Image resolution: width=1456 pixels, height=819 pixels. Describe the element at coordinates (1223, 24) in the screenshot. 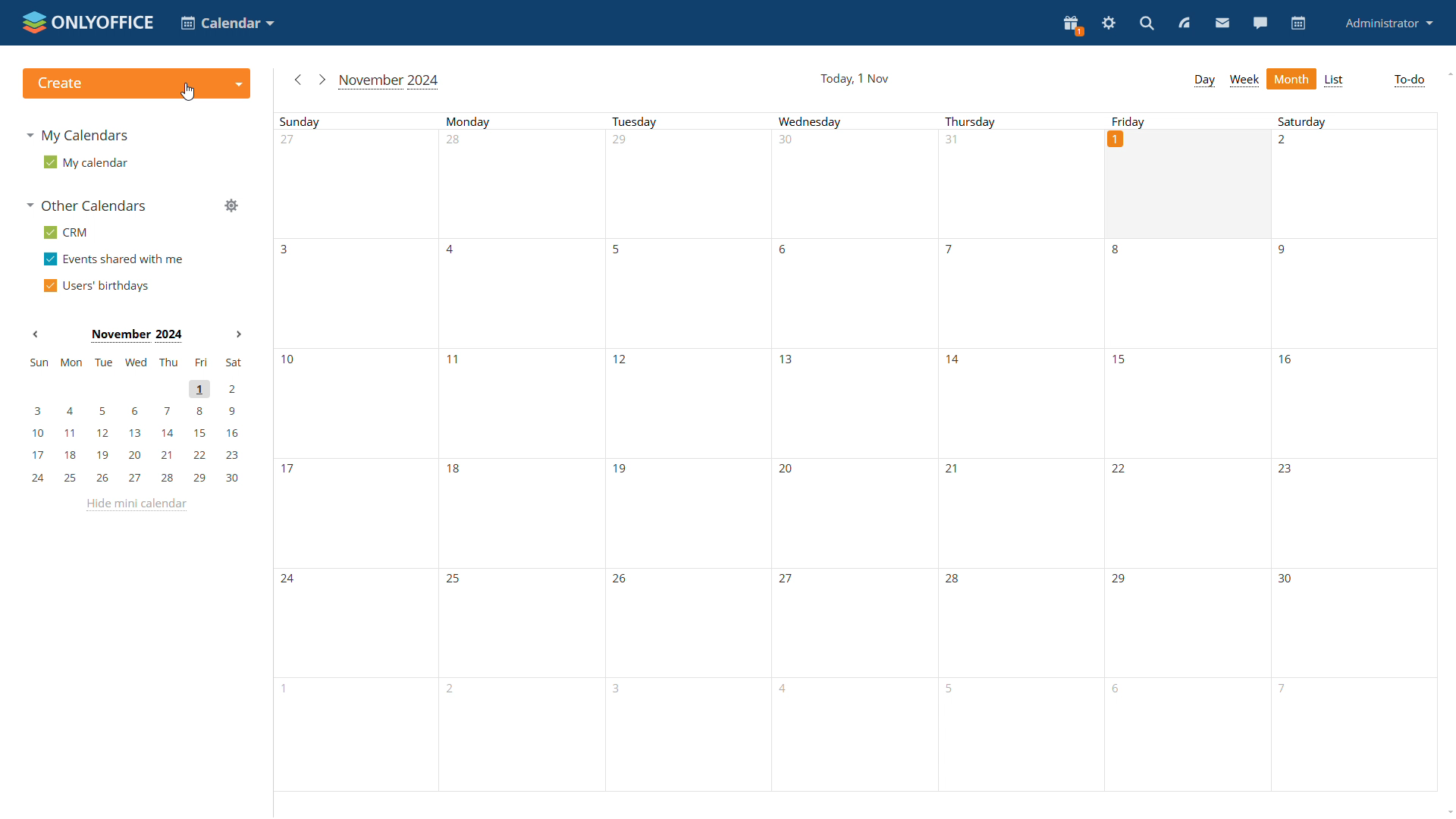

I see `mail` at that location.